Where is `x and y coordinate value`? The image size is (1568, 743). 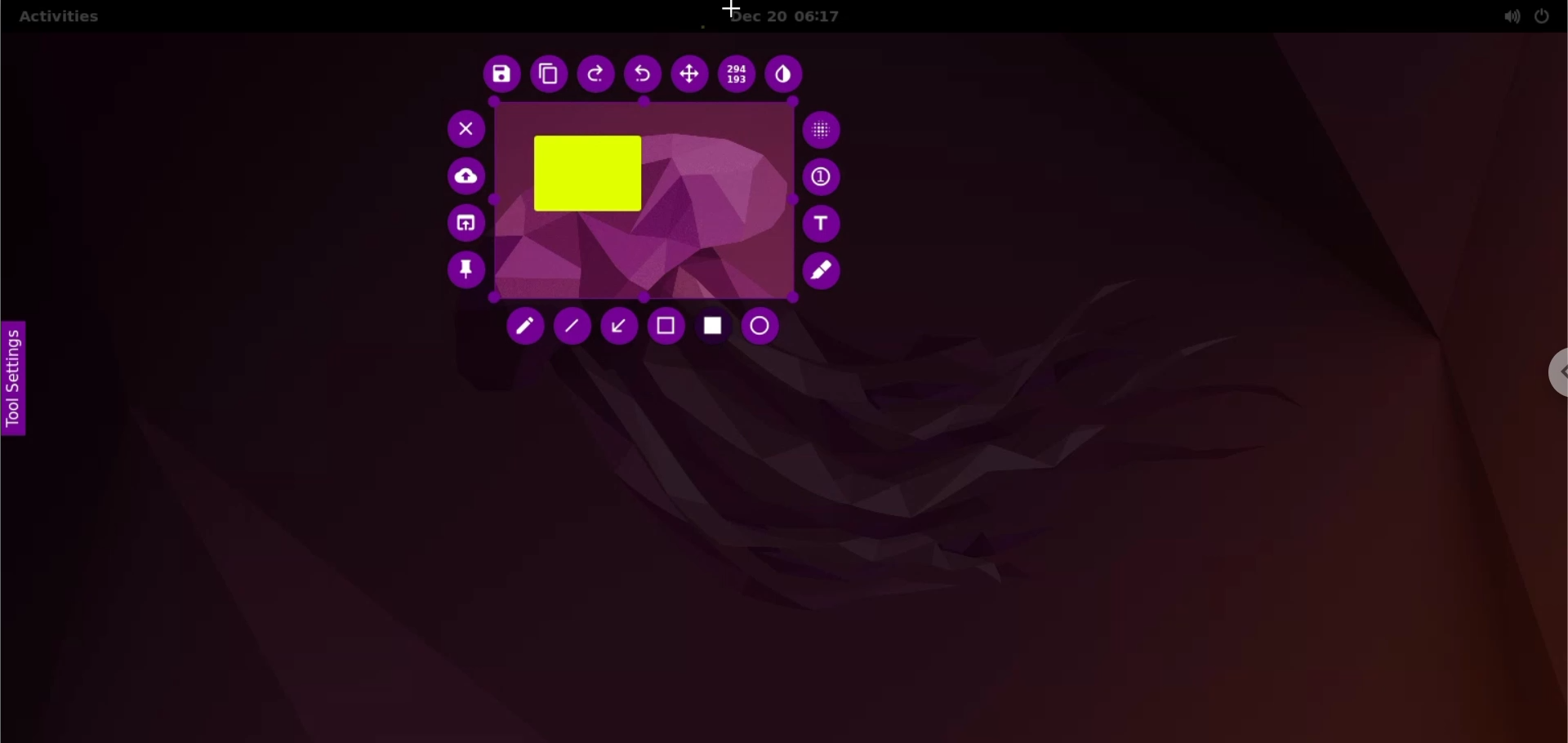
x and y coordinate value is located at coordinates (739, 73).